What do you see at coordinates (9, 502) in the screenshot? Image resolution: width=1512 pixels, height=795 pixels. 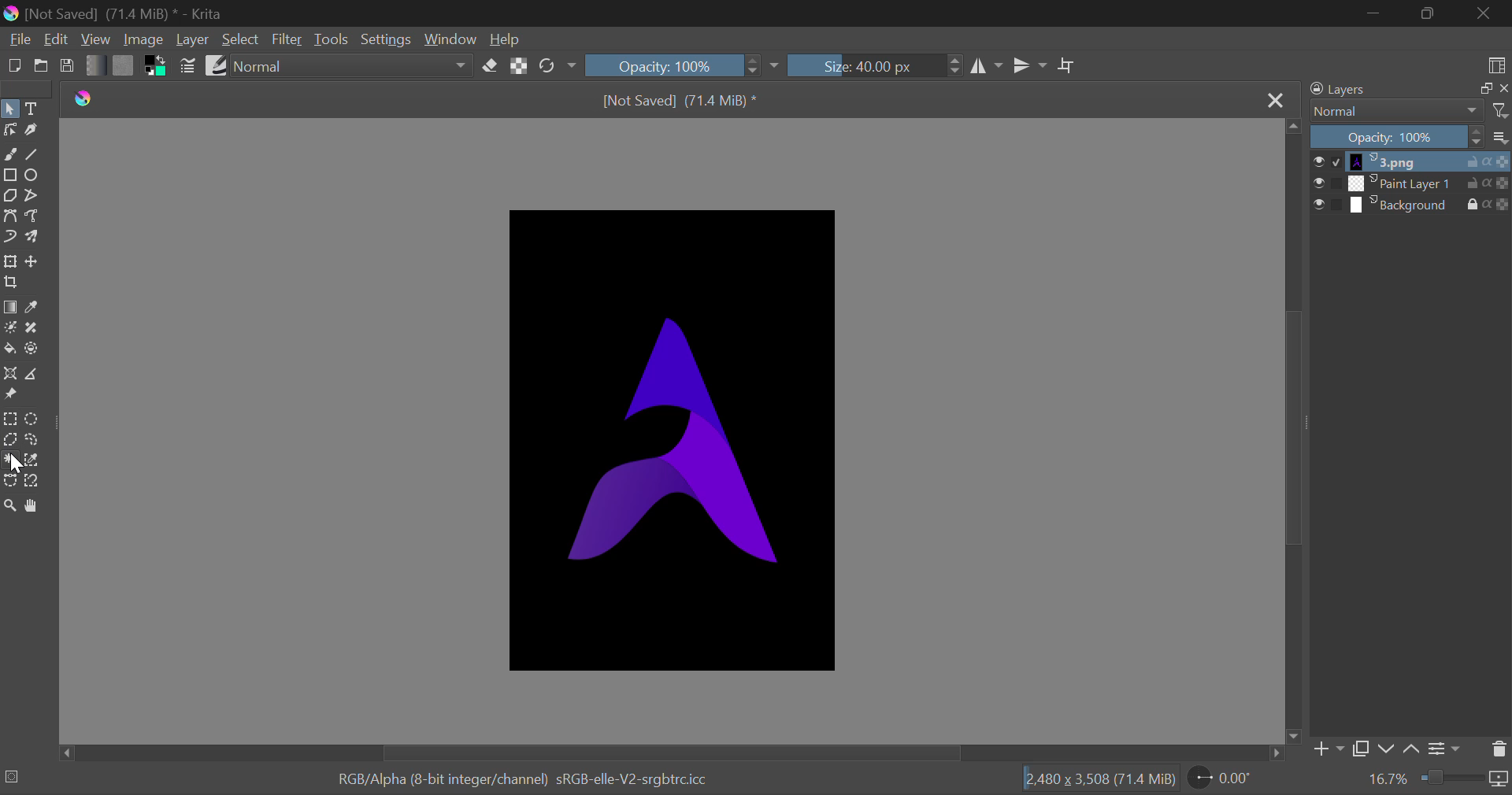 I see `Zoom` at bounding box center [9, 502].